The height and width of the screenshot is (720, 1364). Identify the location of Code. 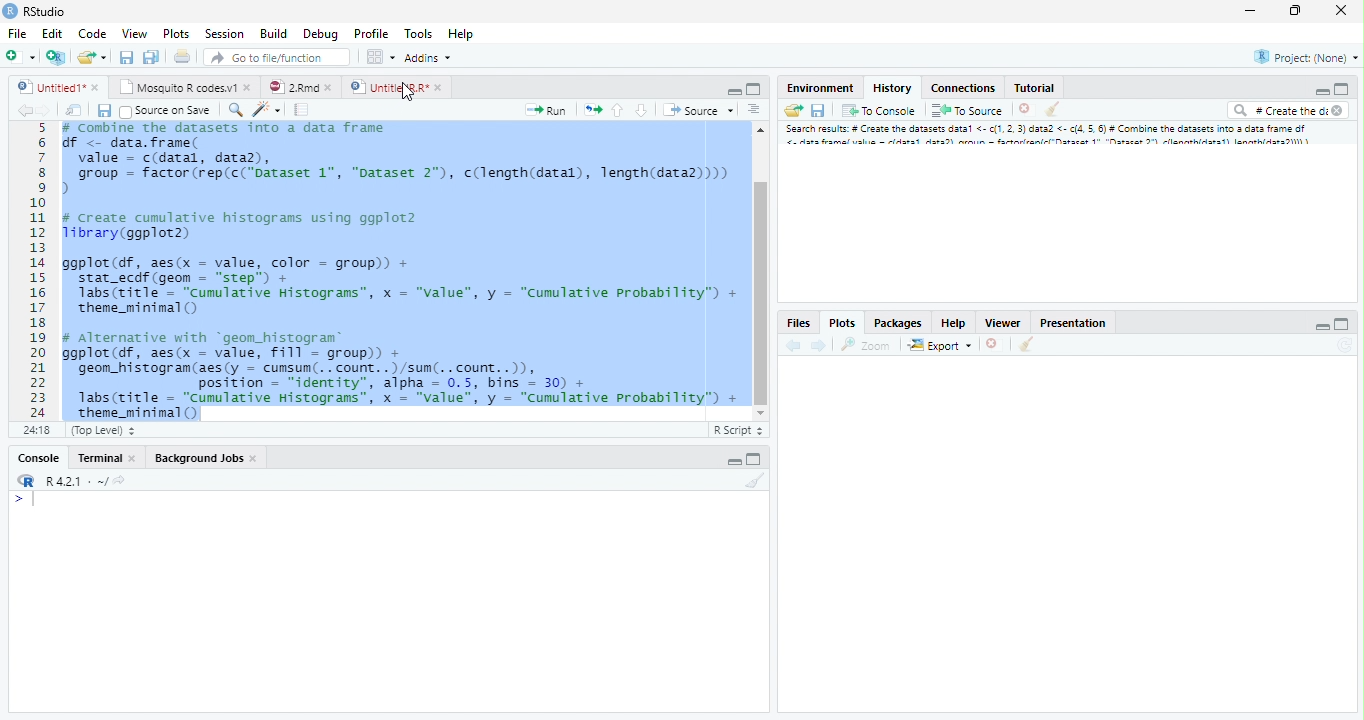
(91, 35).